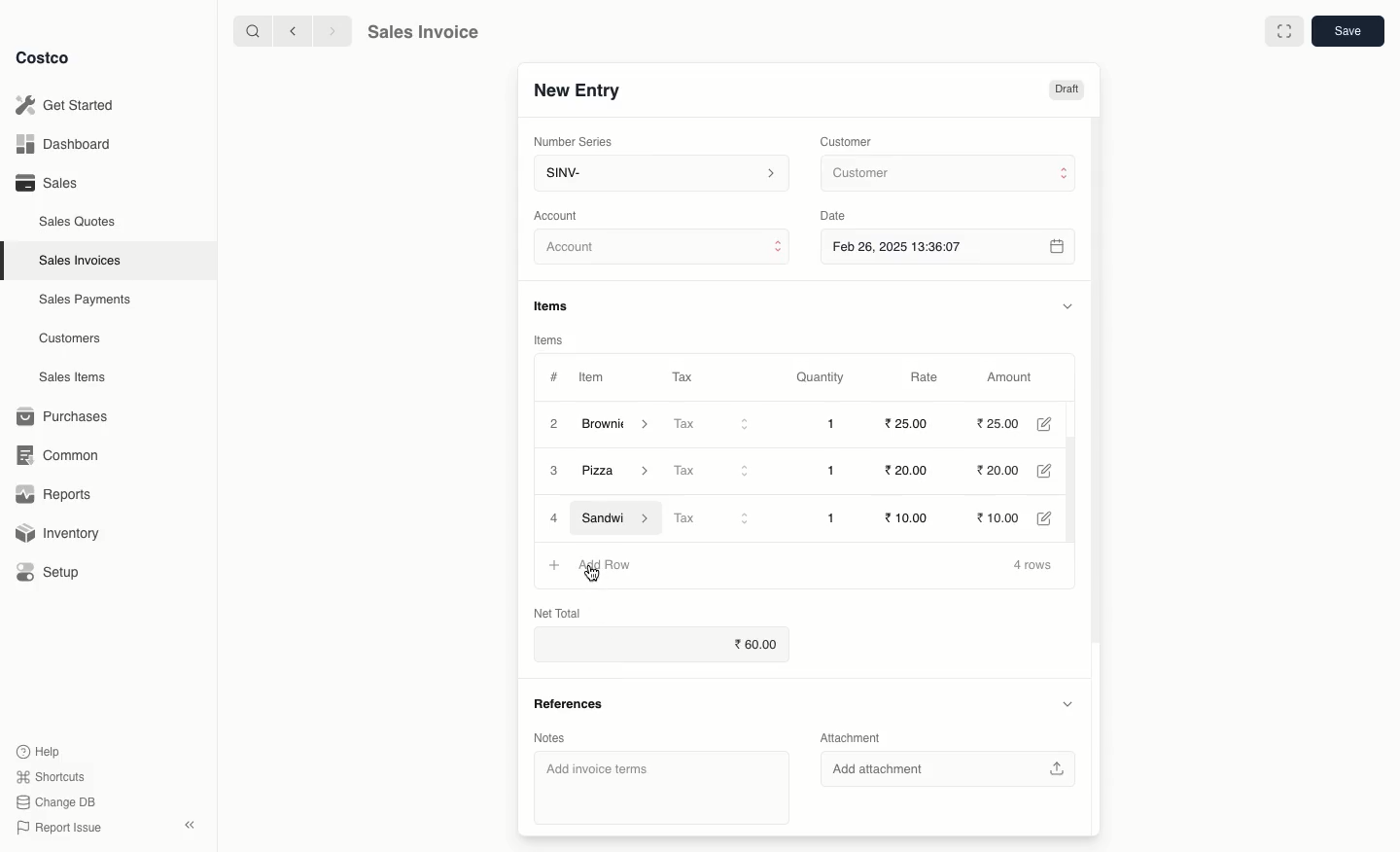  I want to click on Help, so click(40, 750).